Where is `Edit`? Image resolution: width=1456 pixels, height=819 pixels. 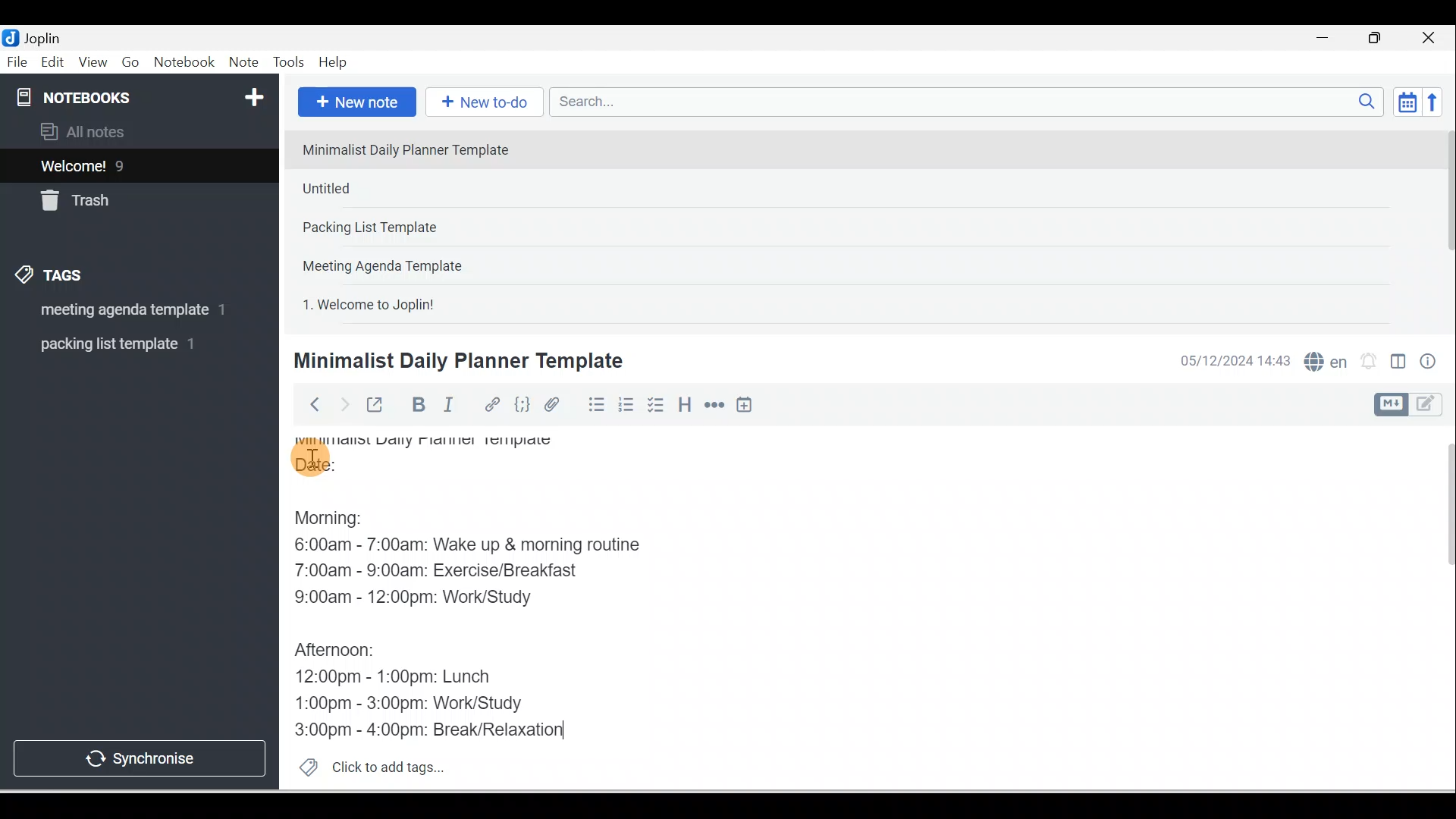 Edit is located at coordinates (54, 63).